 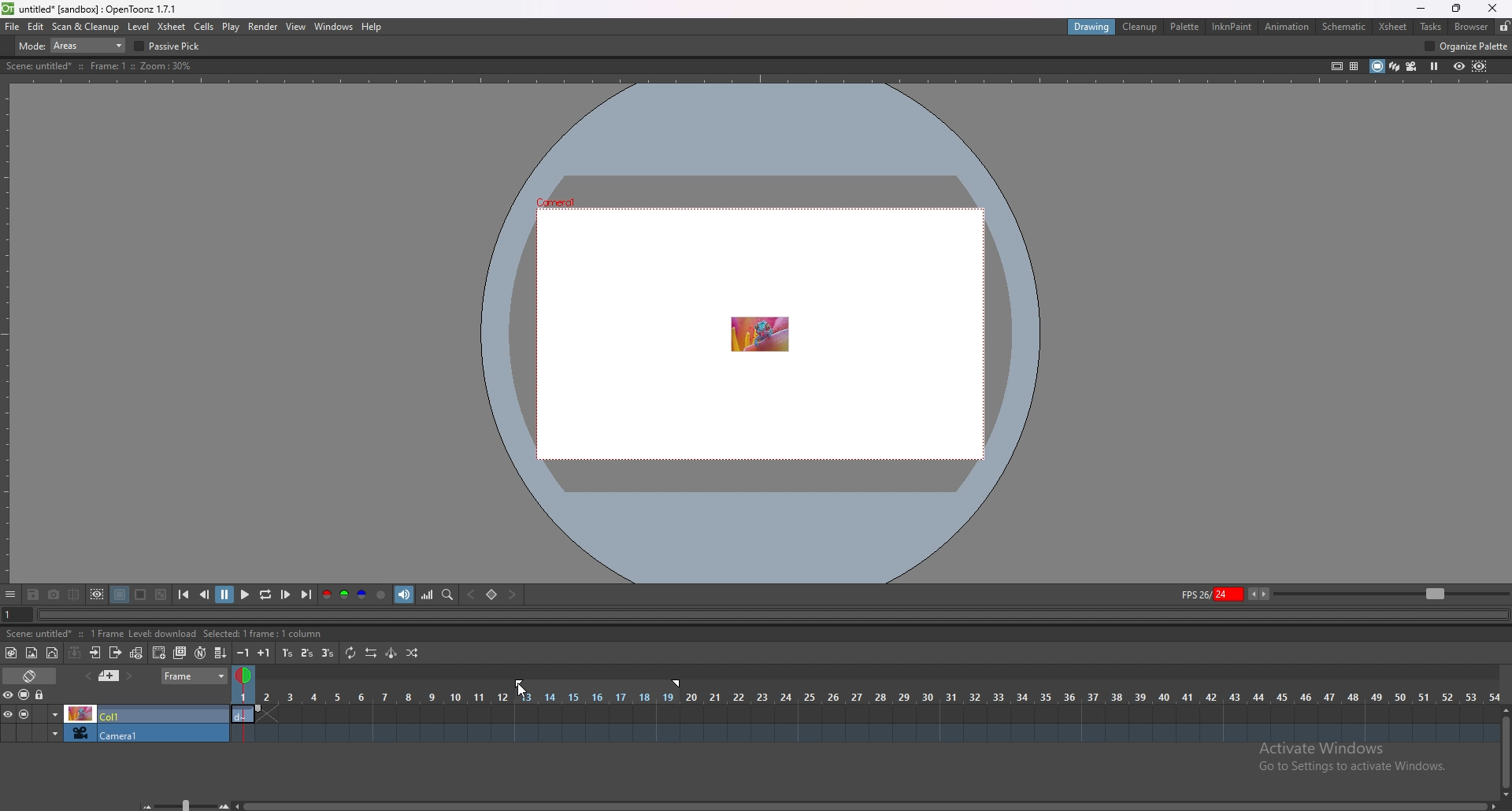 I want to click on inknpaint, so click(x=1232, y=26).